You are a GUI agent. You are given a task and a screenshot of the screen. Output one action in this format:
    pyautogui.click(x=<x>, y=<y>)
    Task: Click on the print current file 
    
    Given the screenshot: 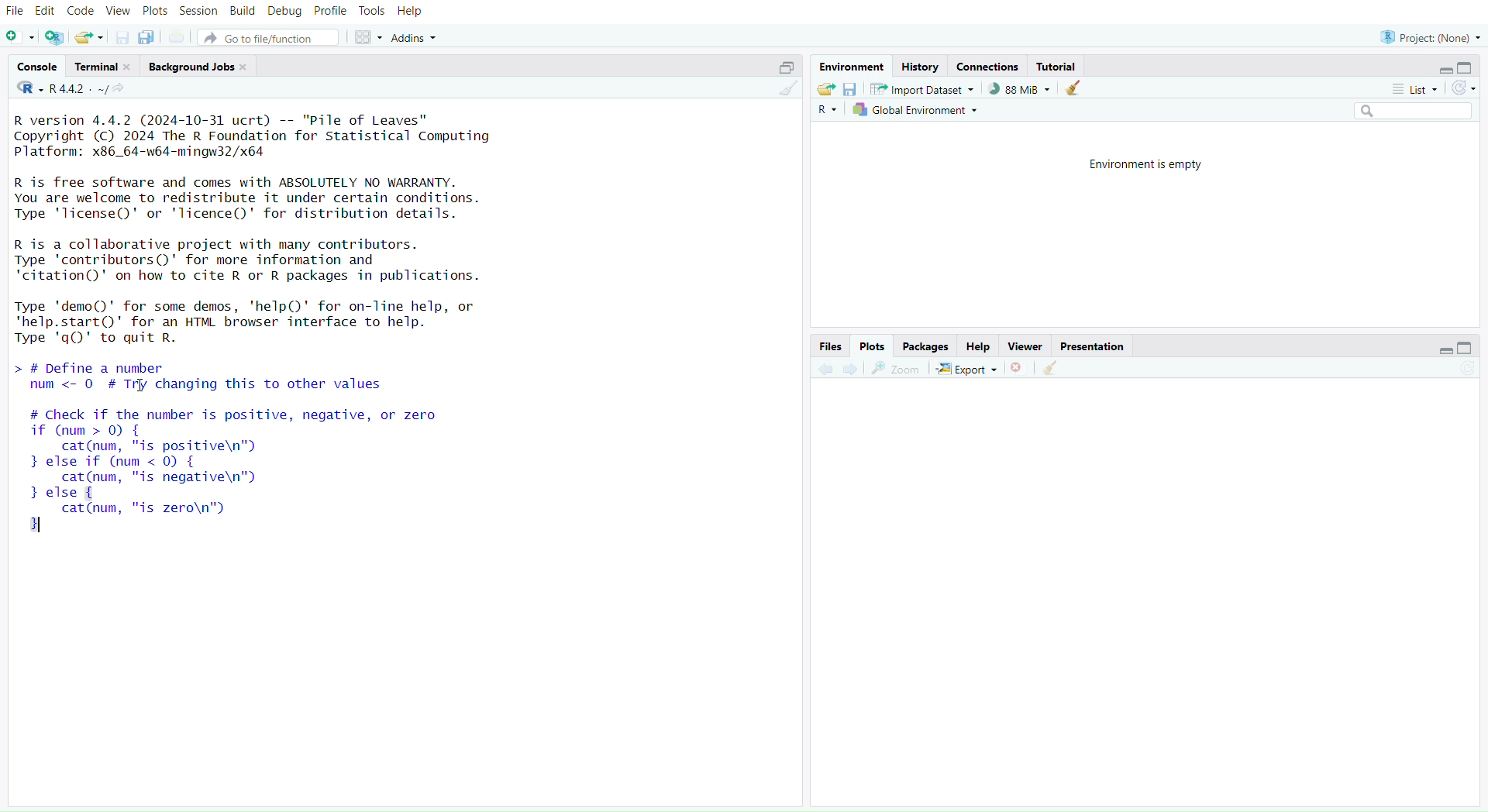 What is the action you would take?
    pyautogui.click(x=179, y=38)
    